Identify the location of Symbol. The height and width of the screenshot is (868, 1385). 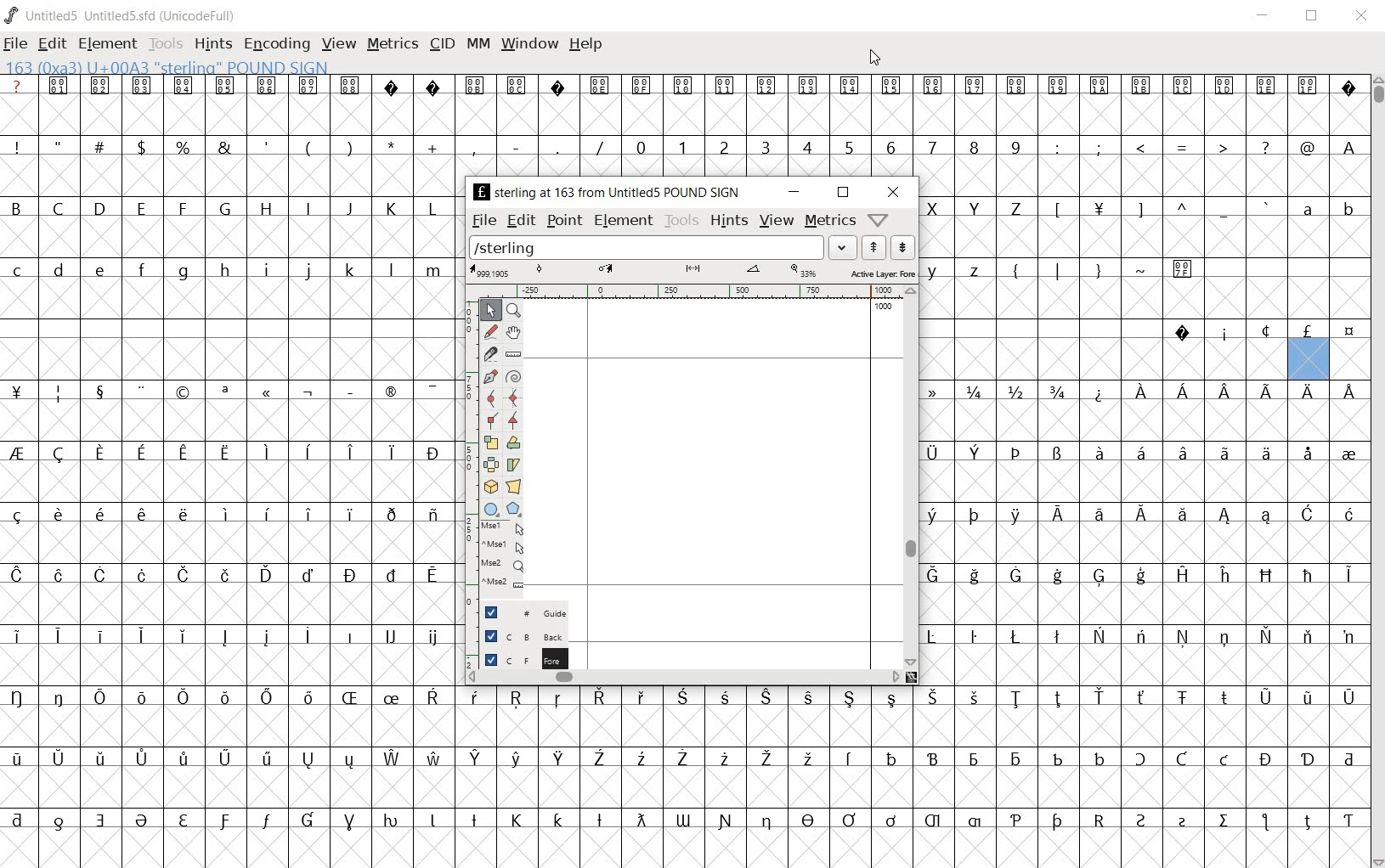
(517, 820).